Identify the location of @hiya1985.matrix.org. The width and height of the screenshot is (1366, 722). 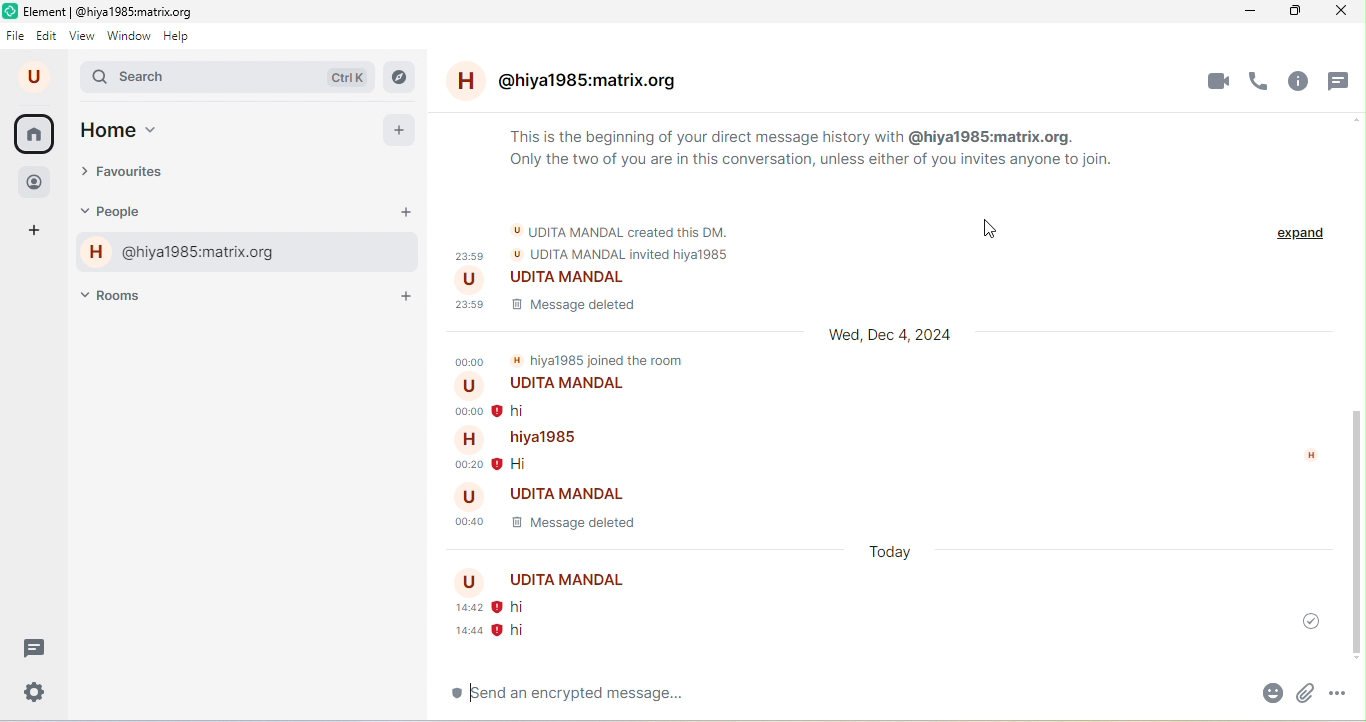
(575, 84).